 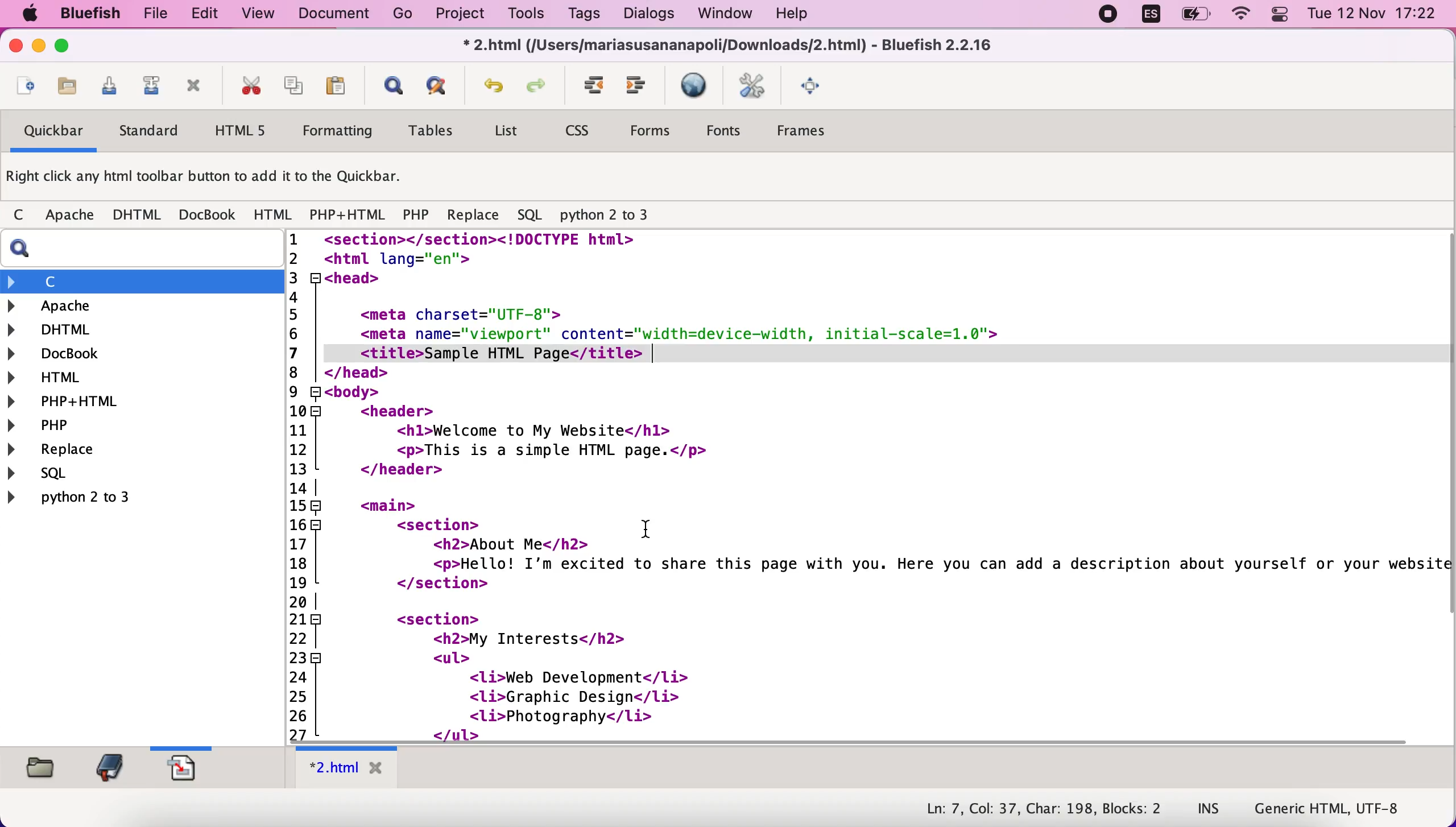 What do you see at coordinates (806, 15) in the screenshot?
I see `help` at bounding box center [806, 15].